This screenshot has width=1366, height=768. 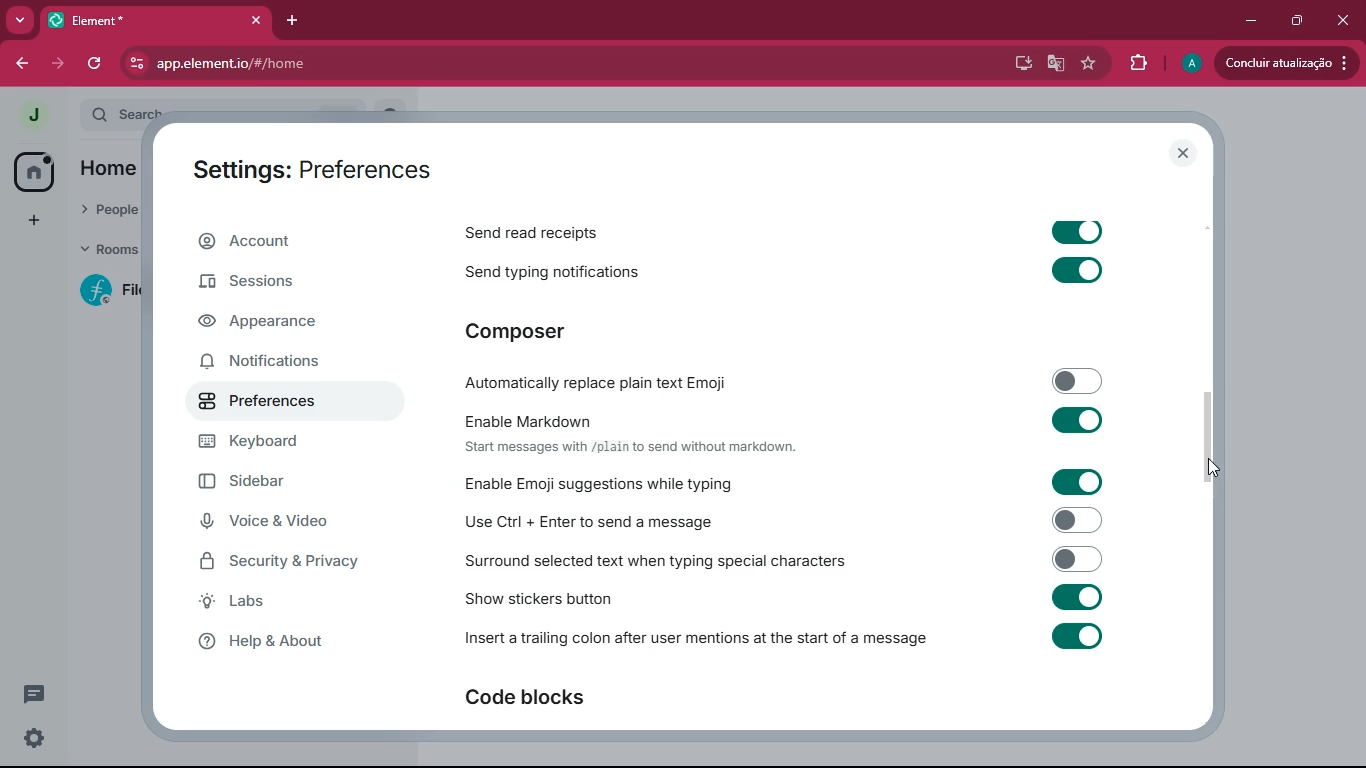 What do you see at coordinates (285, 241) in the screenshot?
I see `account` at bounding box center [285, 241].